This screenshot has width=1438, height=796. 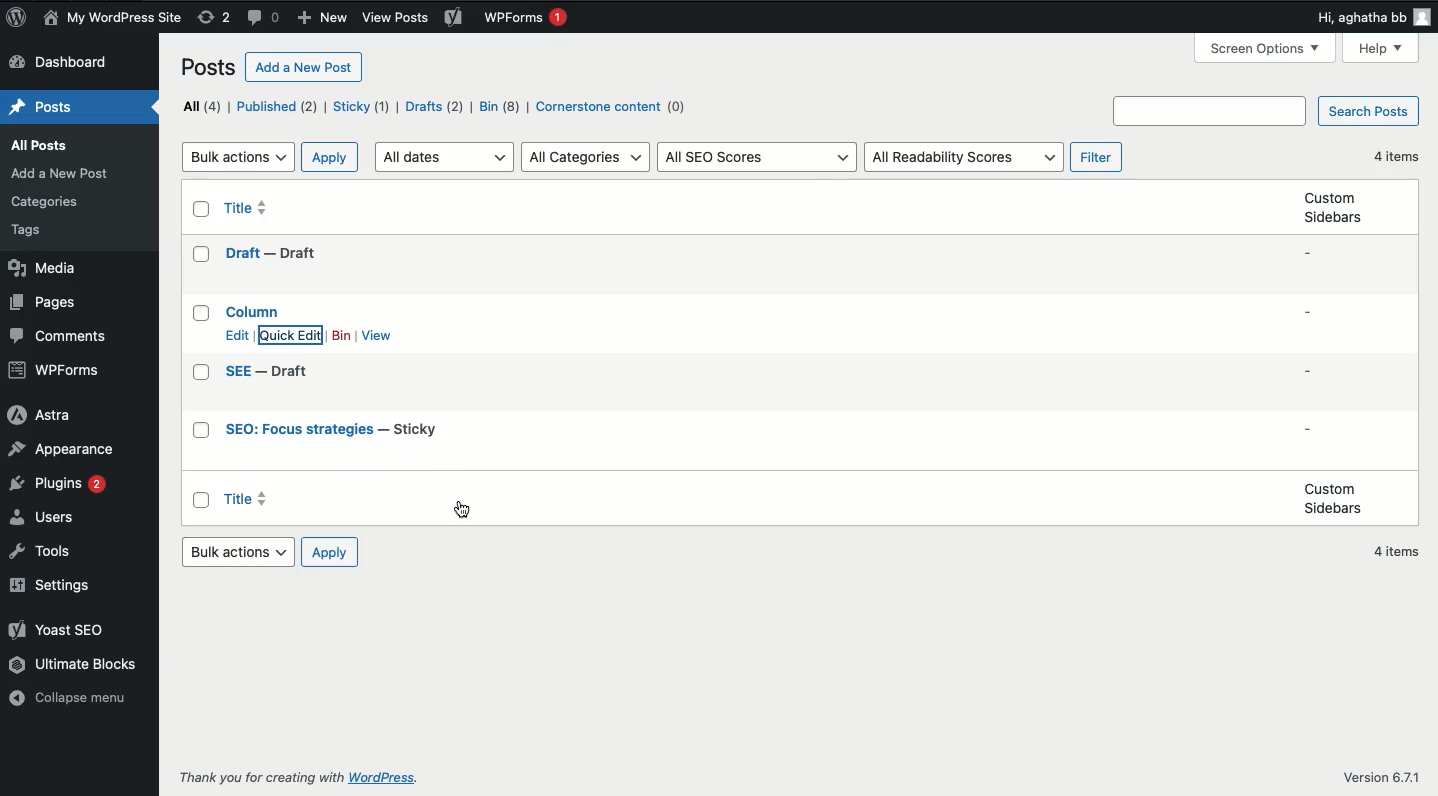 I want to click on Title, so click(x=293, y=260).